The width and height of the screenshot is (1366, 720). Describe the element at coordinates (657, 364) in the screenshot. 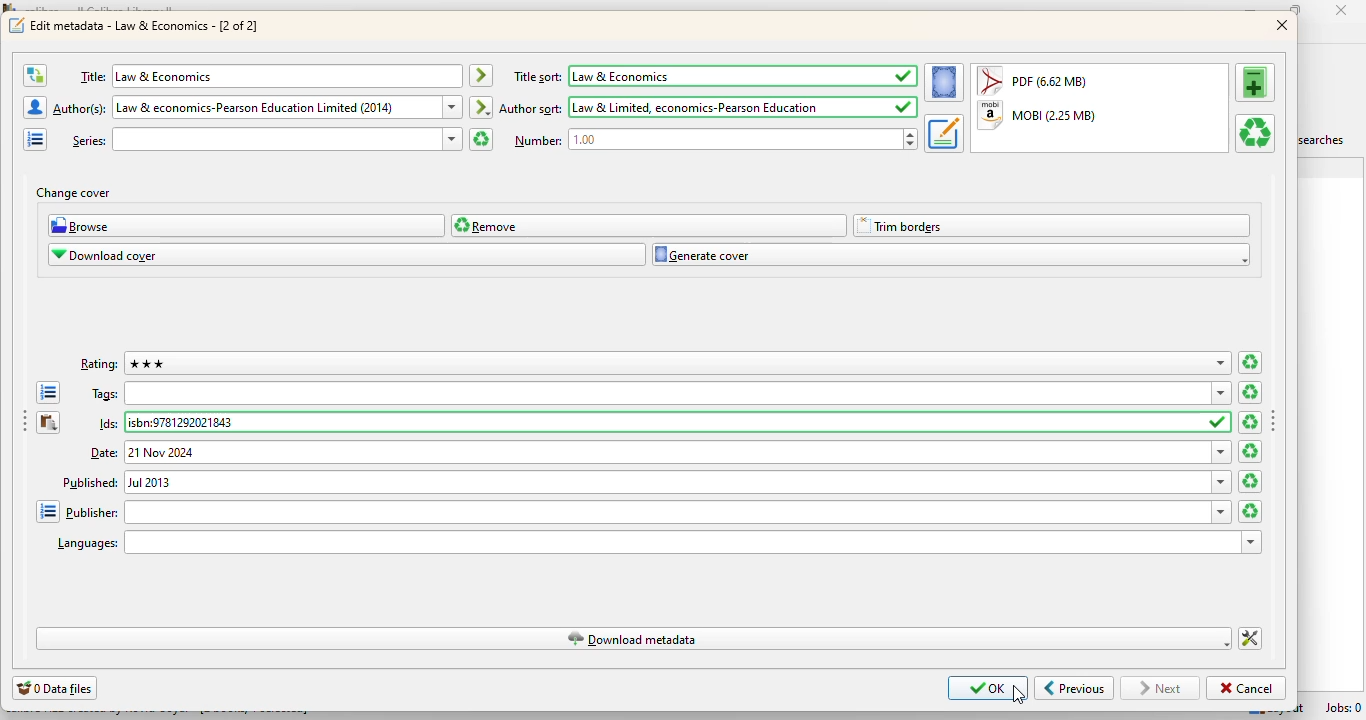

I see `rating: 3 stars` at that location.